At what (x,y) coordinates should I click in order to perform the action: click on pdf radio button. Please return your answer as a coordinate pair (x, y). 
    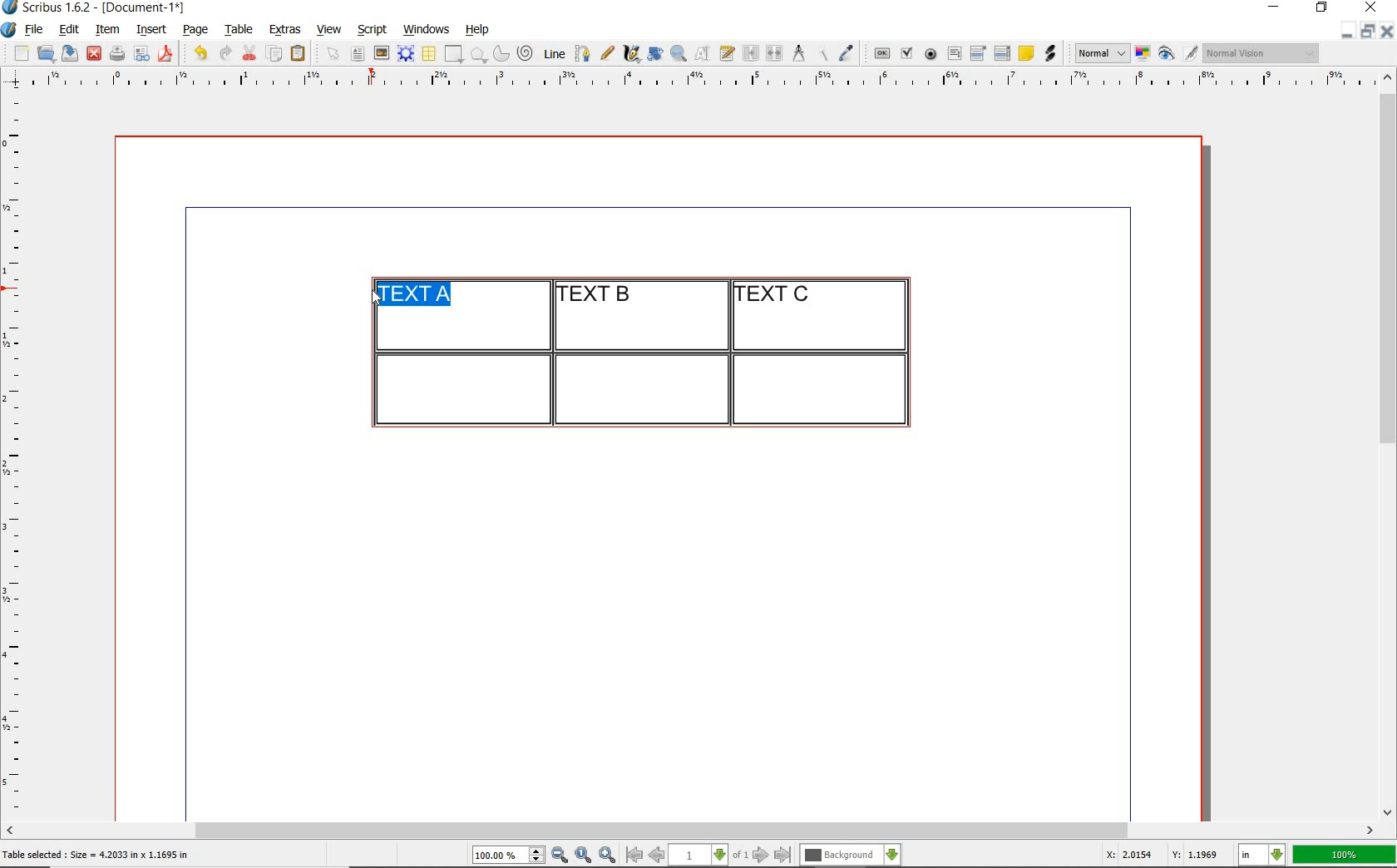
    Looking at the image, I should click on (931, 56).